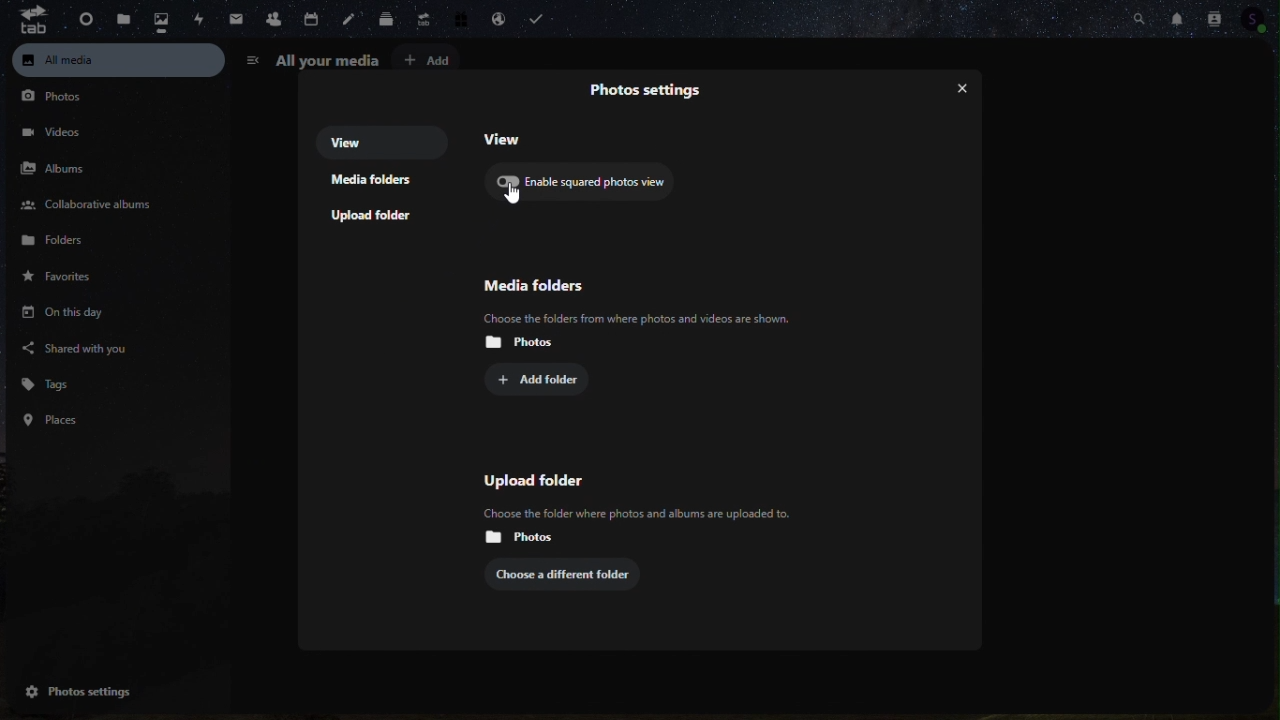 The height and width of the screenshot is (720, 1280). I want to click on contacts, so click(271, 19).